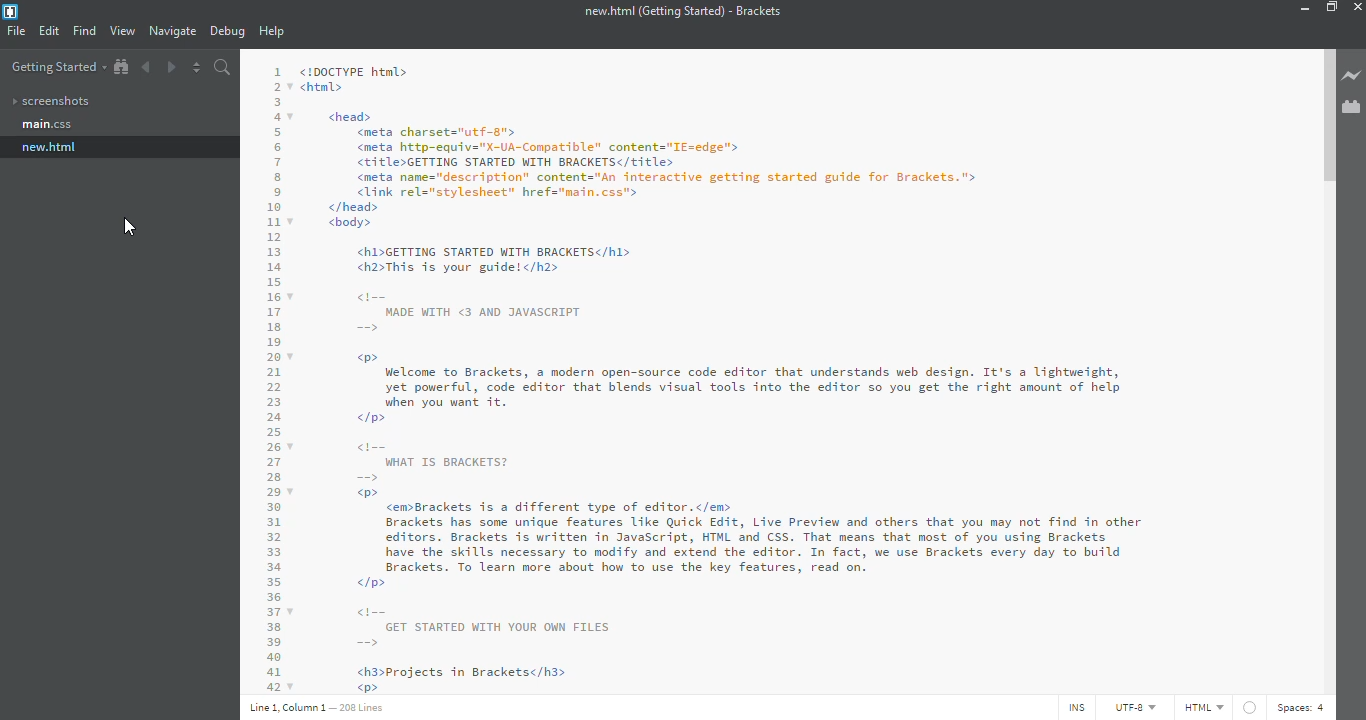 The image size is (1366, 720). Describe the element at coordinates (149, 66) in the screenshot. I see `back` at that location.